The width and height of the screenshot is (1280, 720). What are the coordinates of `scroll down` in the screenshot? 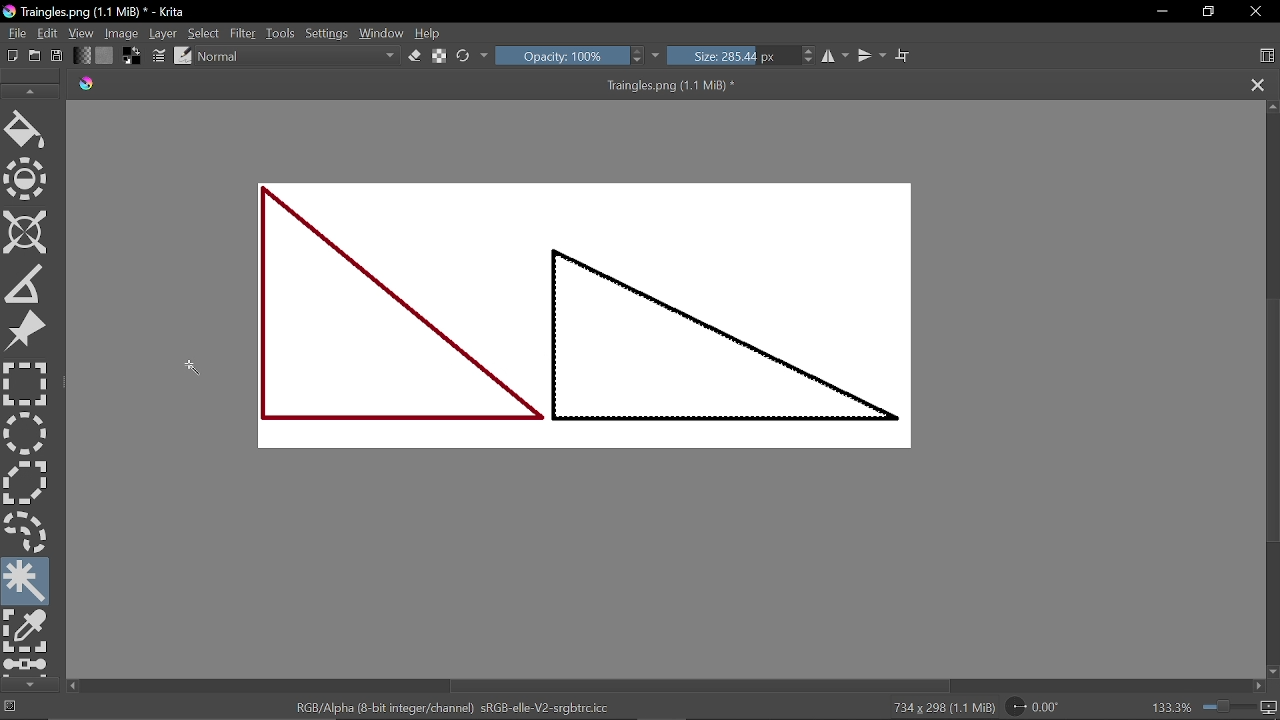 It's located at (31, 684).